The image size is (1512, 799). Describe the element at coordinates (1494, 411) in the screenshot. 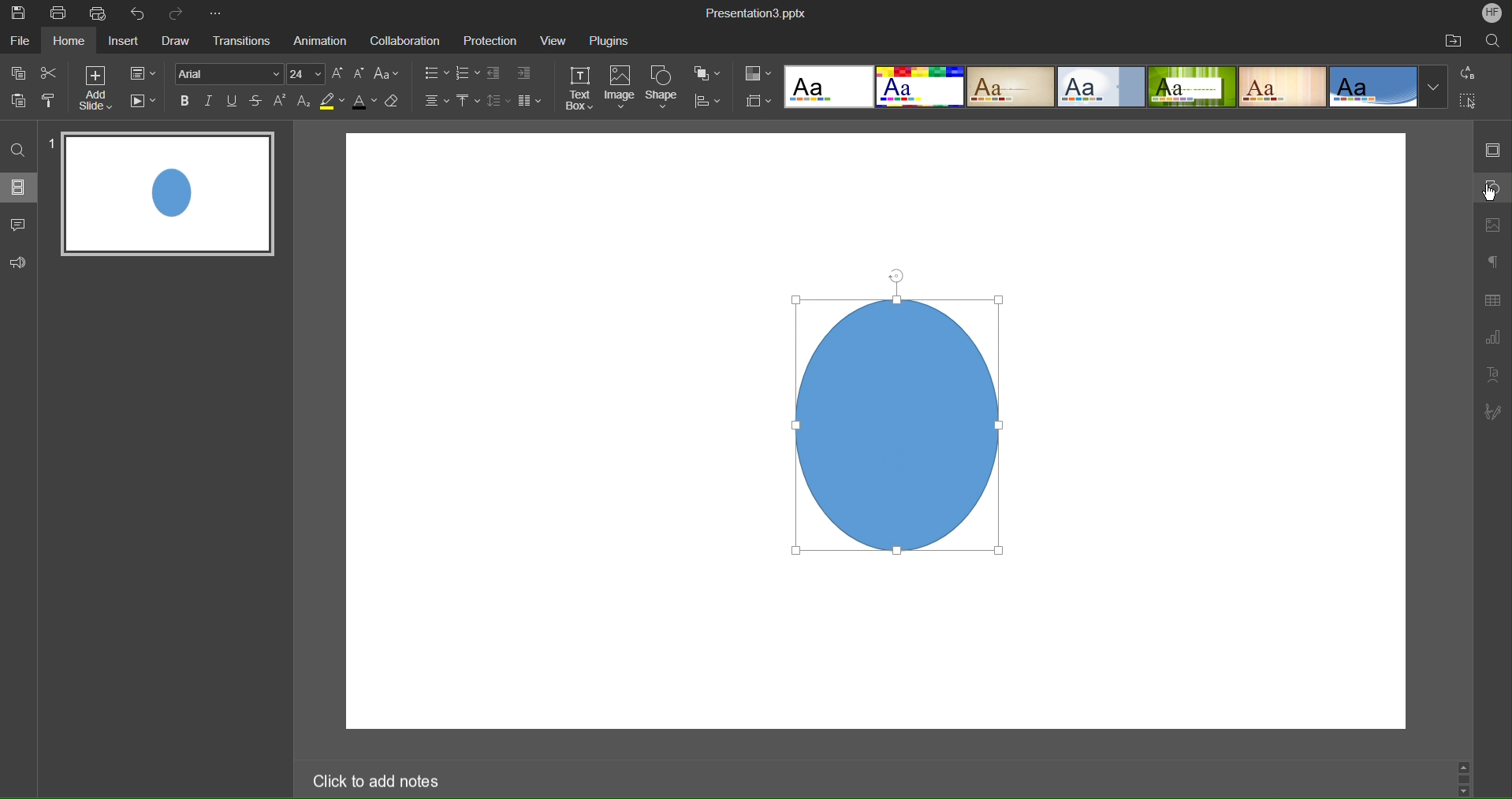

I see `Signature` at that location.